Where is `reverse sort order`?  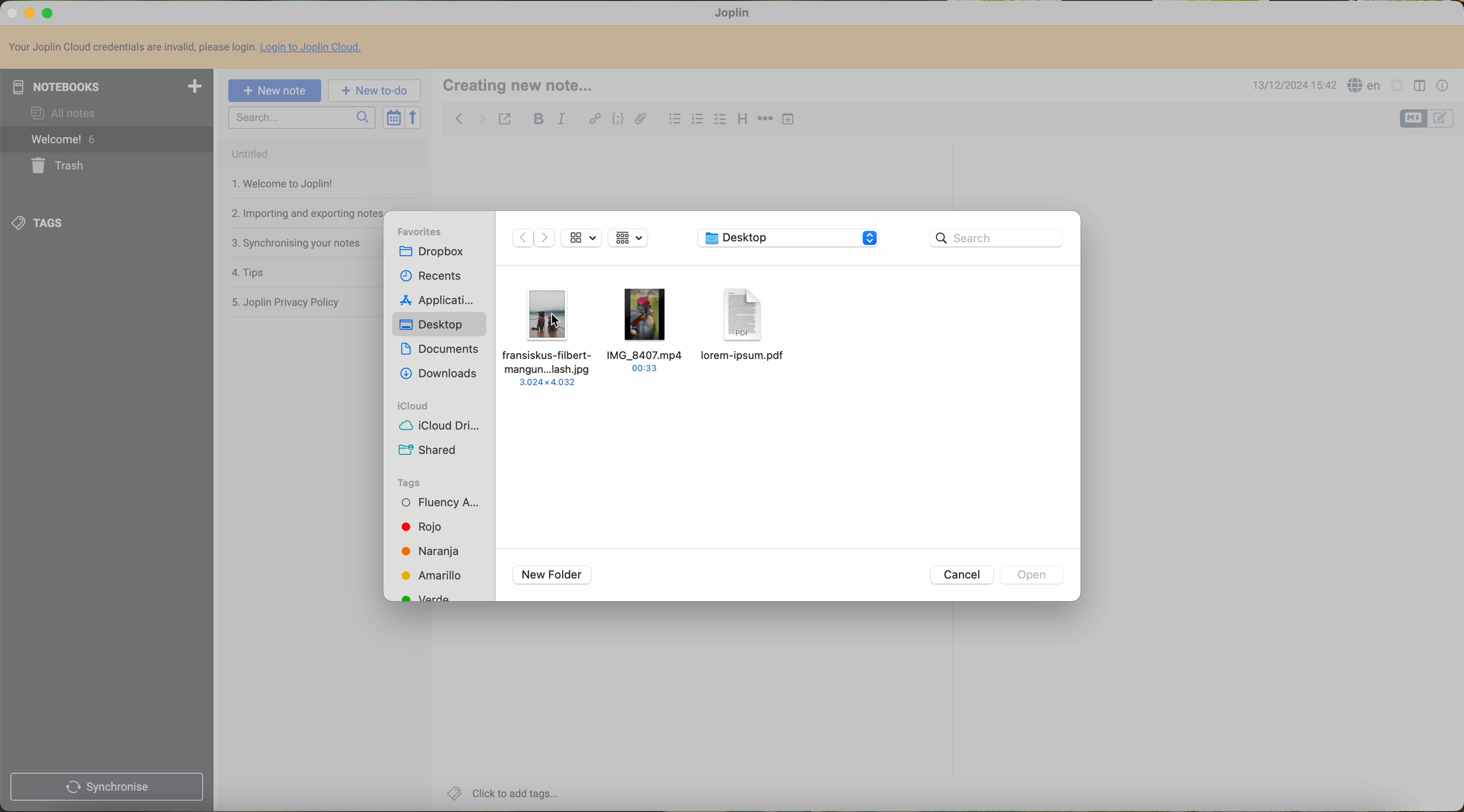
reverse sort order is located at coordinates (414, 118).